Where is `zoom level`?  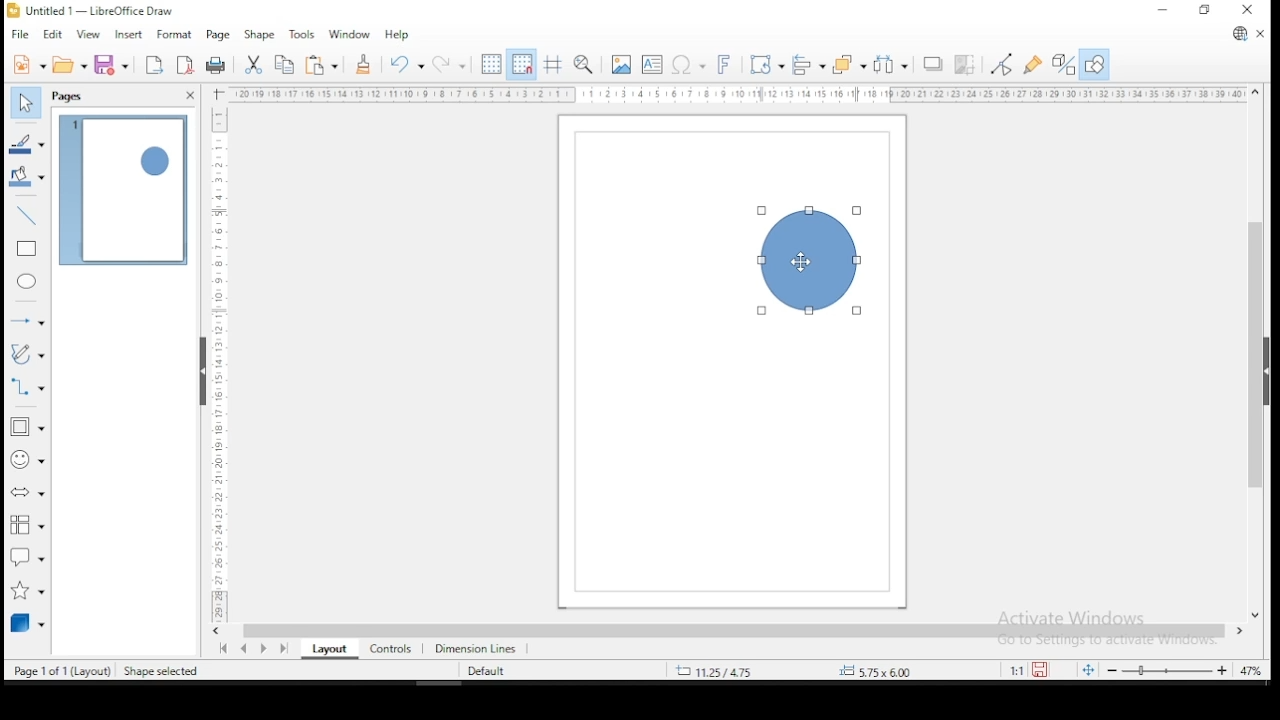 zoom level is located at coordinates (1251, 673).